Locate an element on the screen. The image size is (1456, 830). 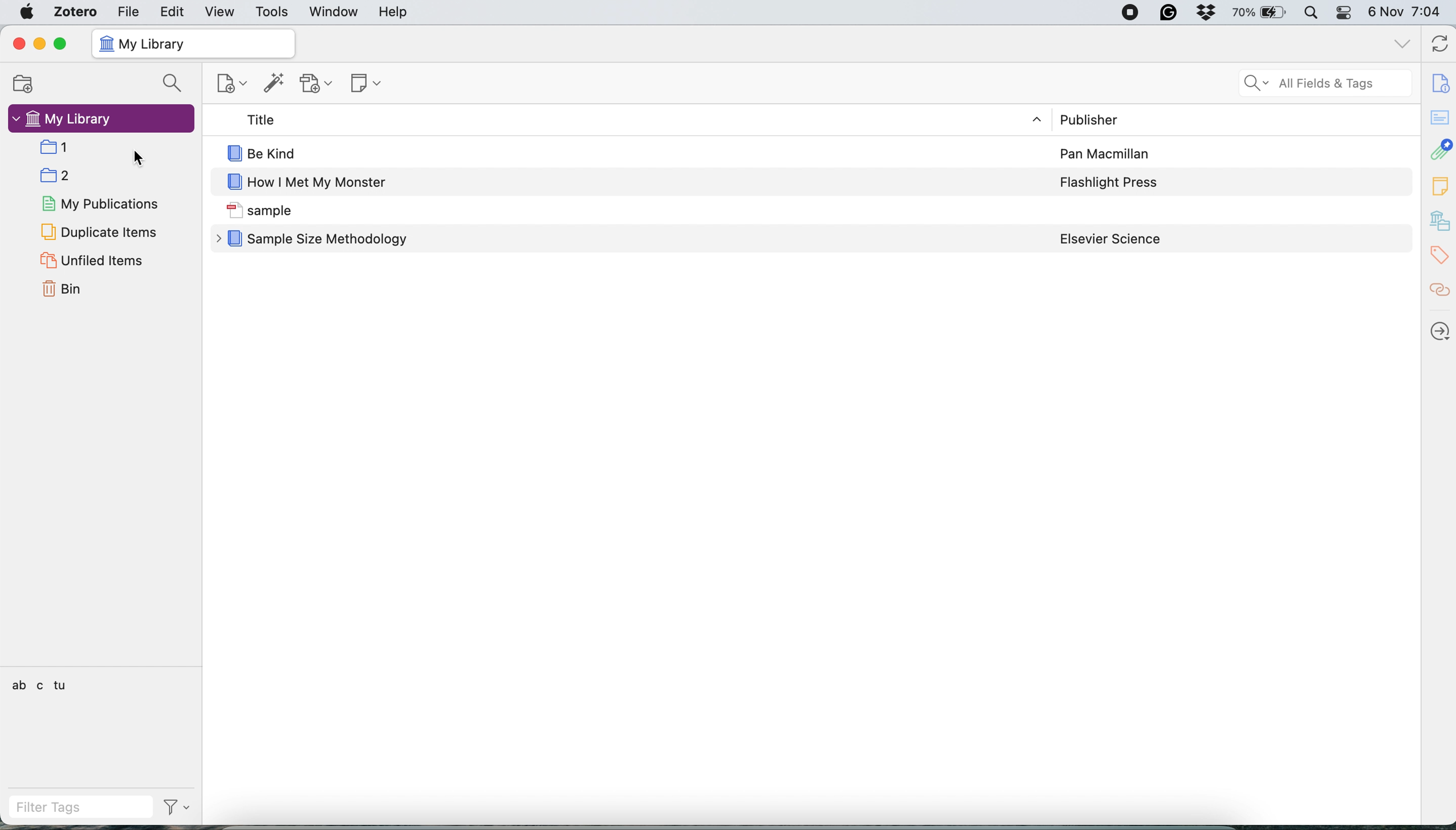
new item is located at coordinates (233, 85).